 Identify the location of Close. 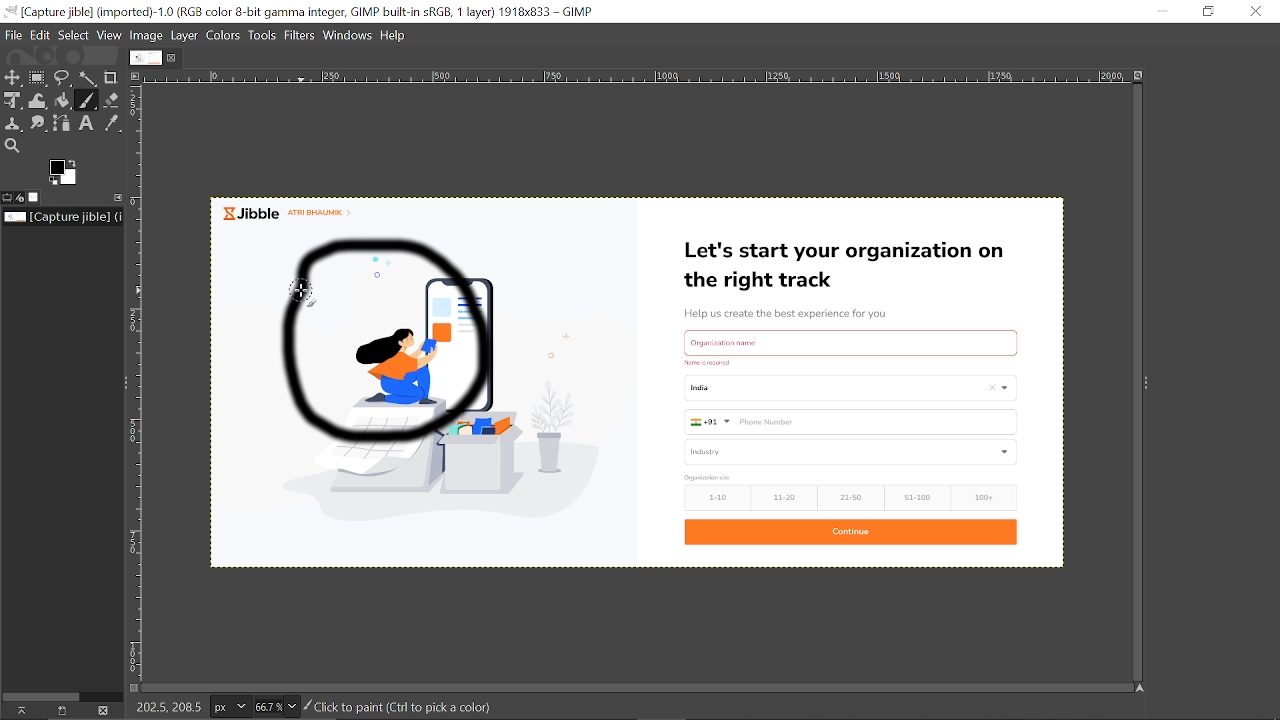
(1254, 12).